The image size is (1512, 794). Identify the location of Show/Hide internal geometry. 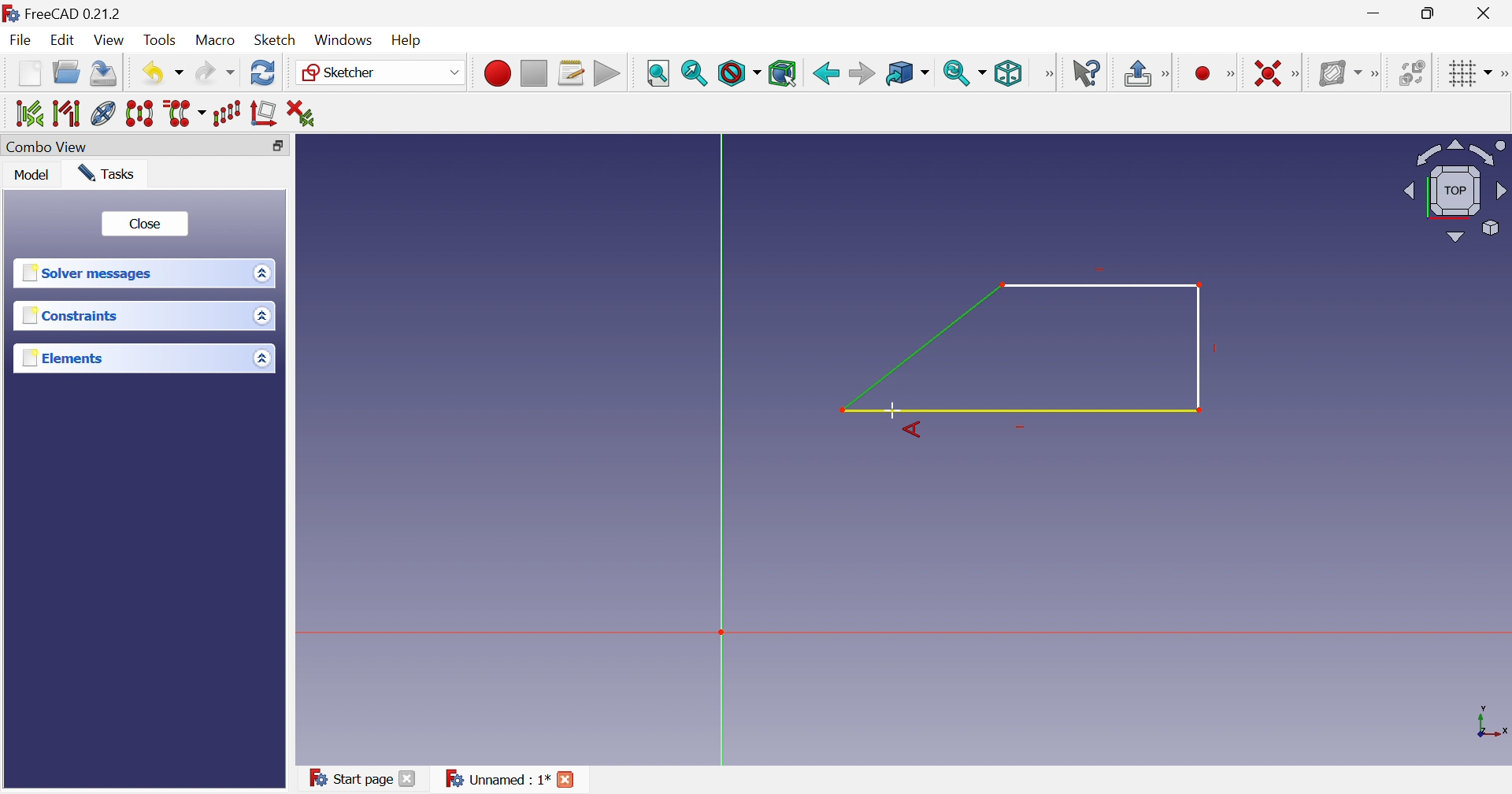
(102, 113).